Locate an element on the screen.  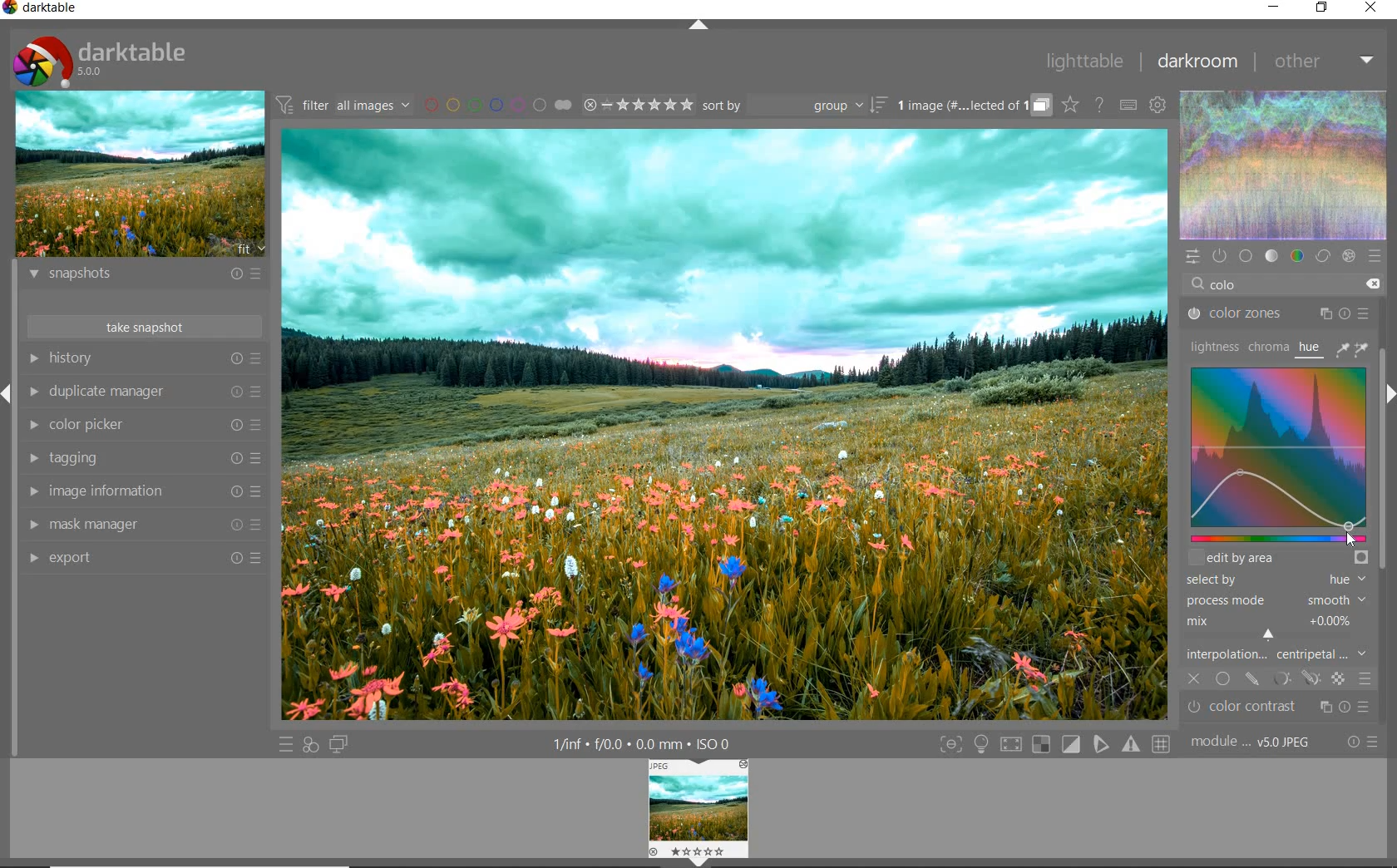
edit by area is located at coordinates (1278, 557).